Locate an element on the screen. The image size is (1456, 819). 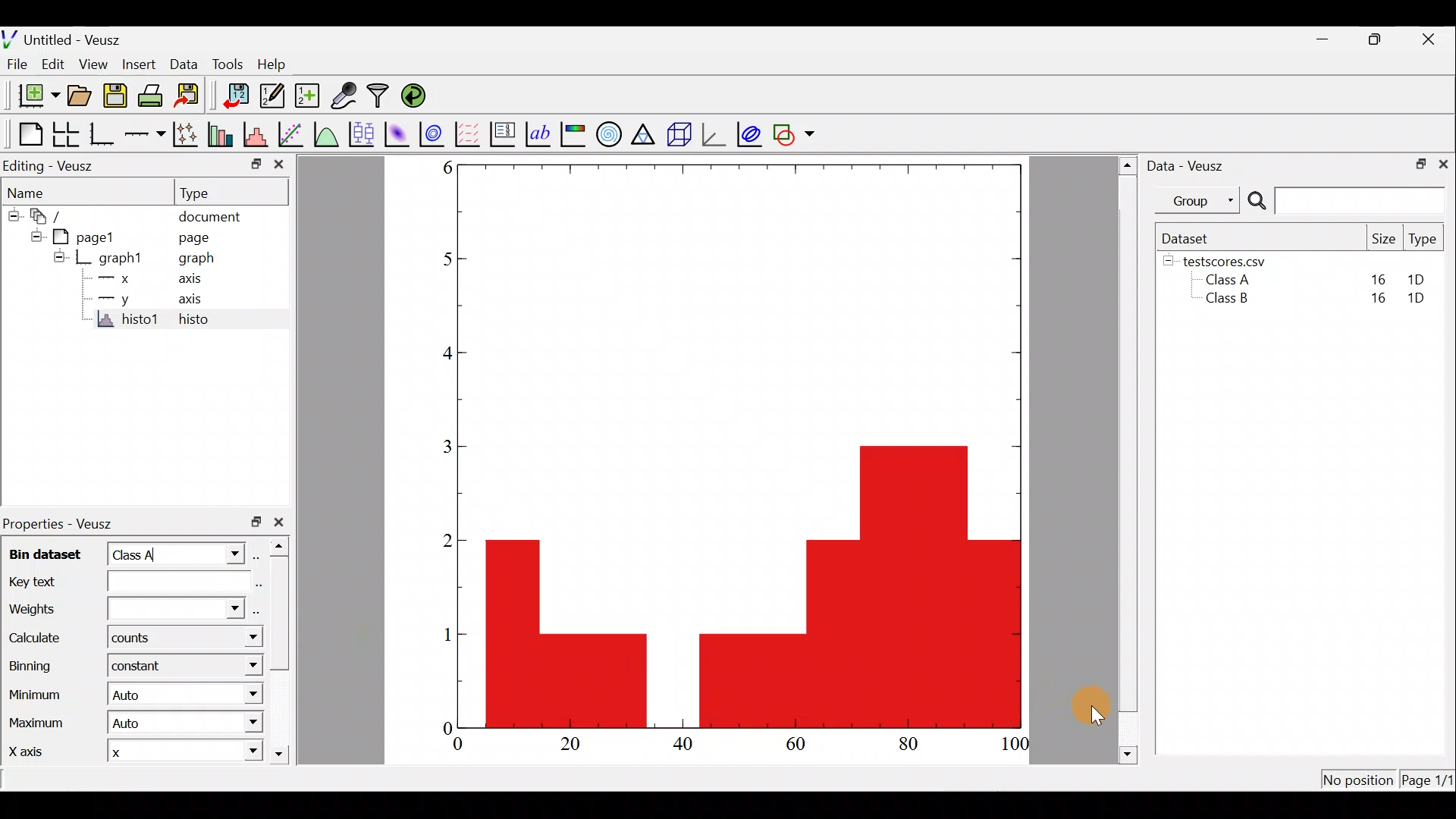
16 is located at coordinates (1378, 278).